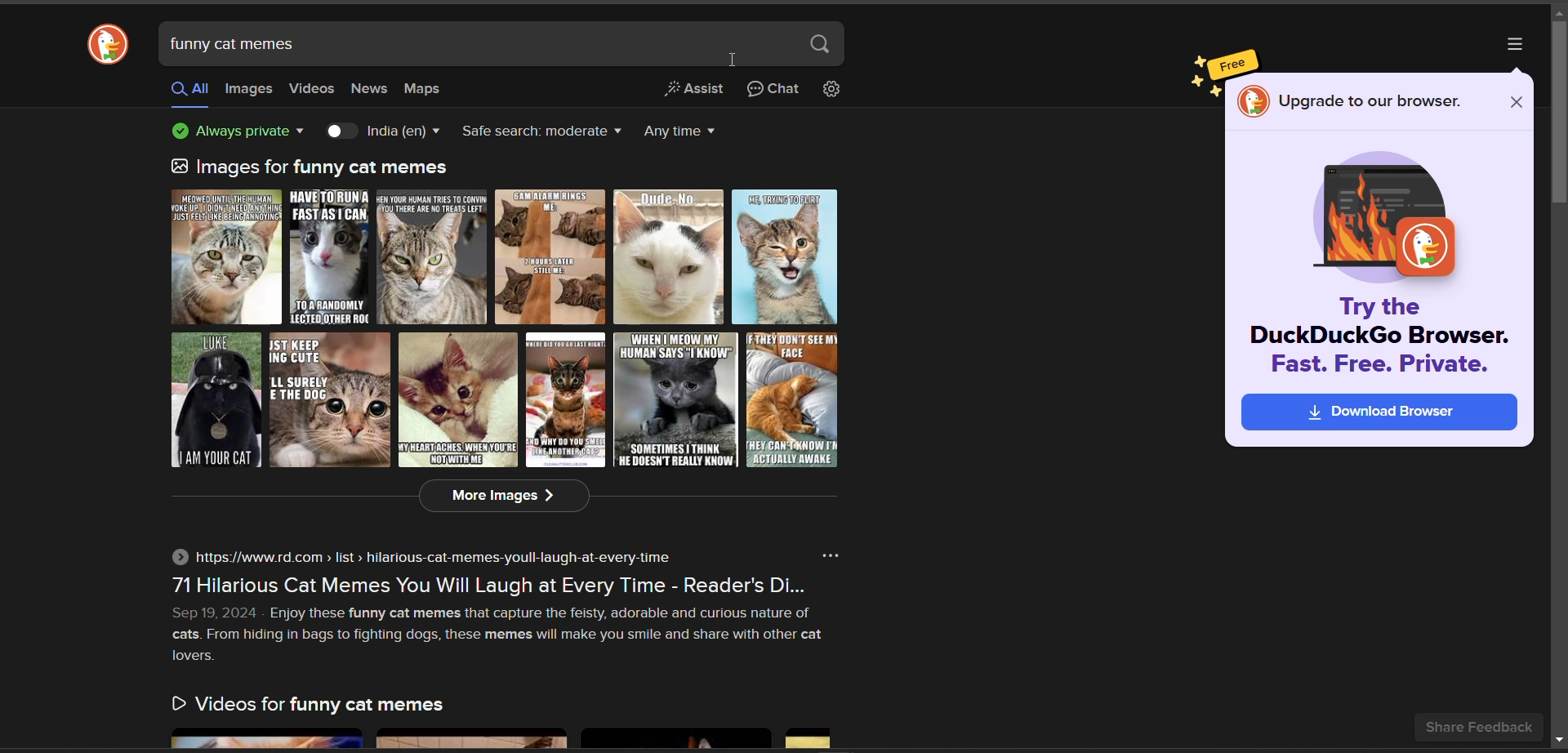 This screenshot has height=753, width=1568. I want to click on more images, so click(506, 496).